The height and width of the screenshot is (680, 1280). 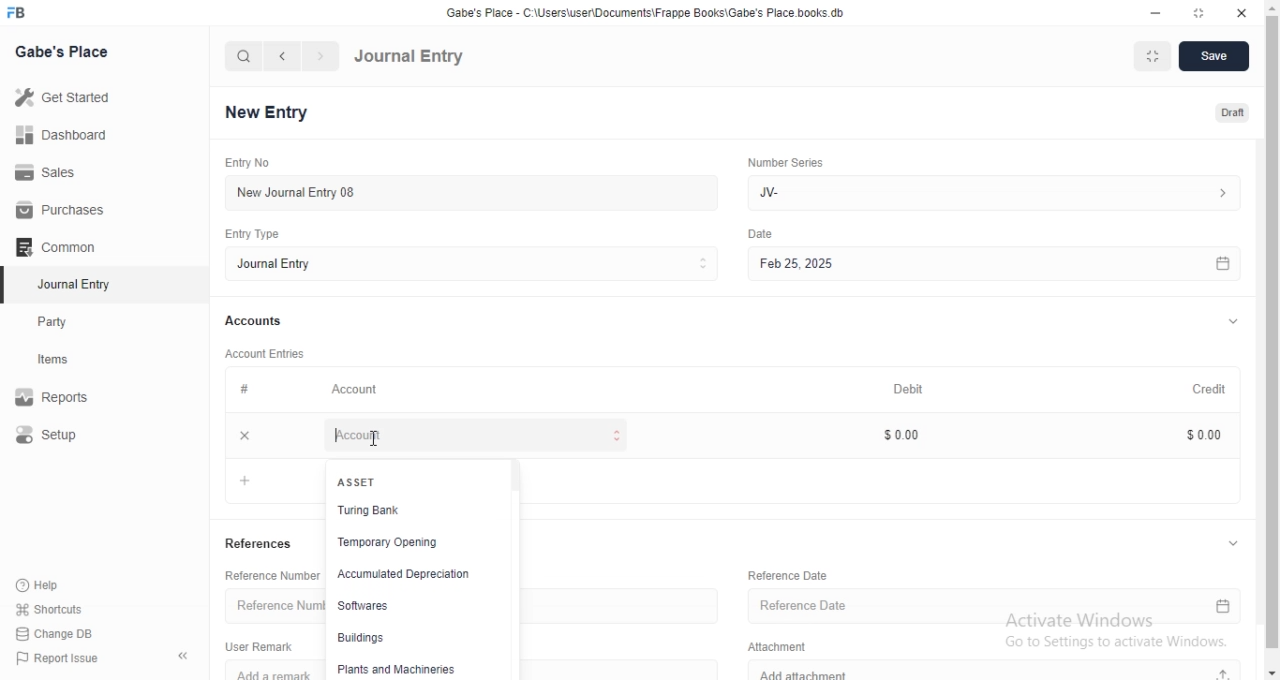 What do you see at coordinates (58, 210) in the screenshot?
I see `Purchases` at bounding box center [58, 210].